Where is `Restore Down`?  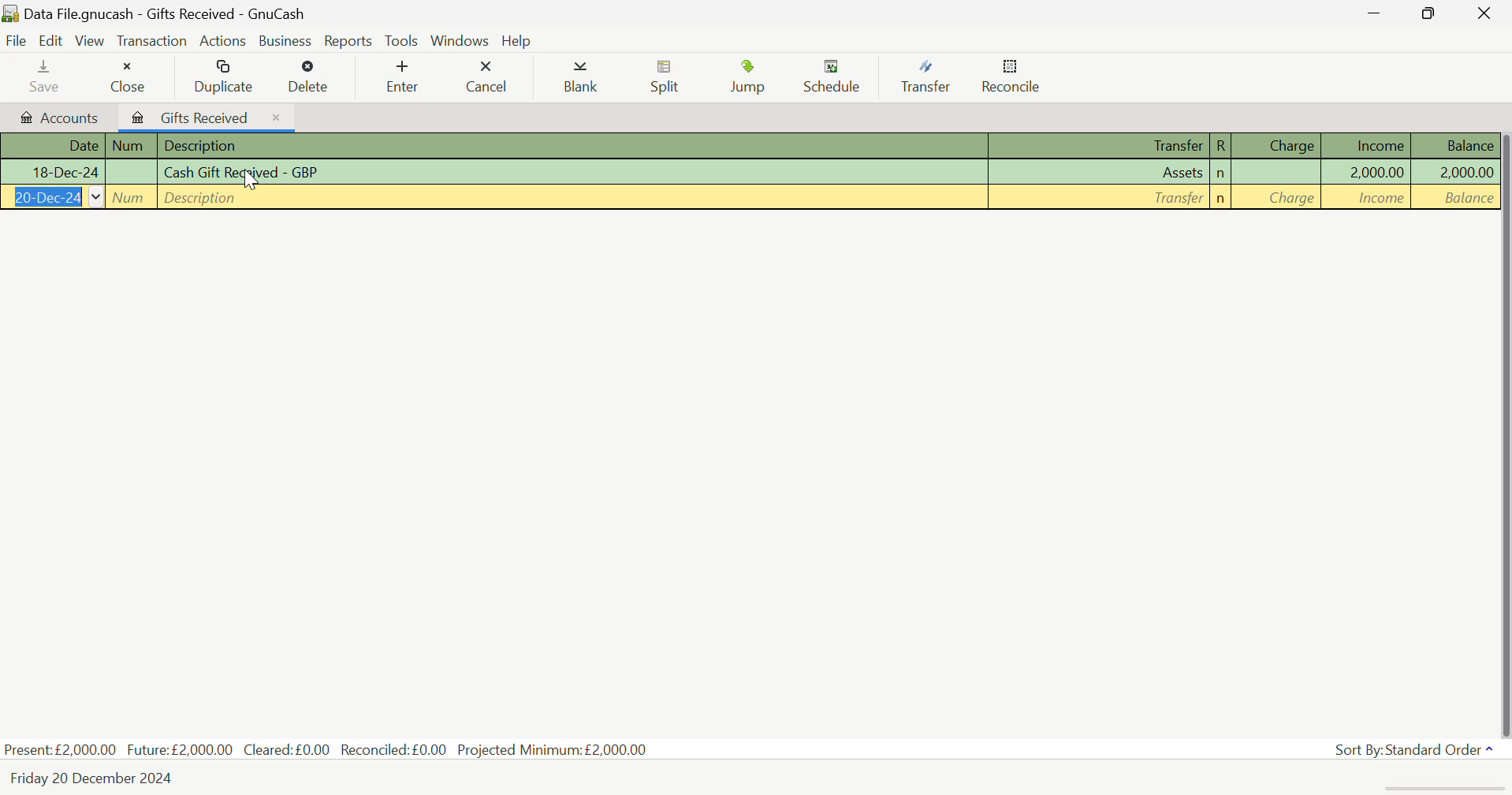
Restore Down is located at coordinates (1377, 13).